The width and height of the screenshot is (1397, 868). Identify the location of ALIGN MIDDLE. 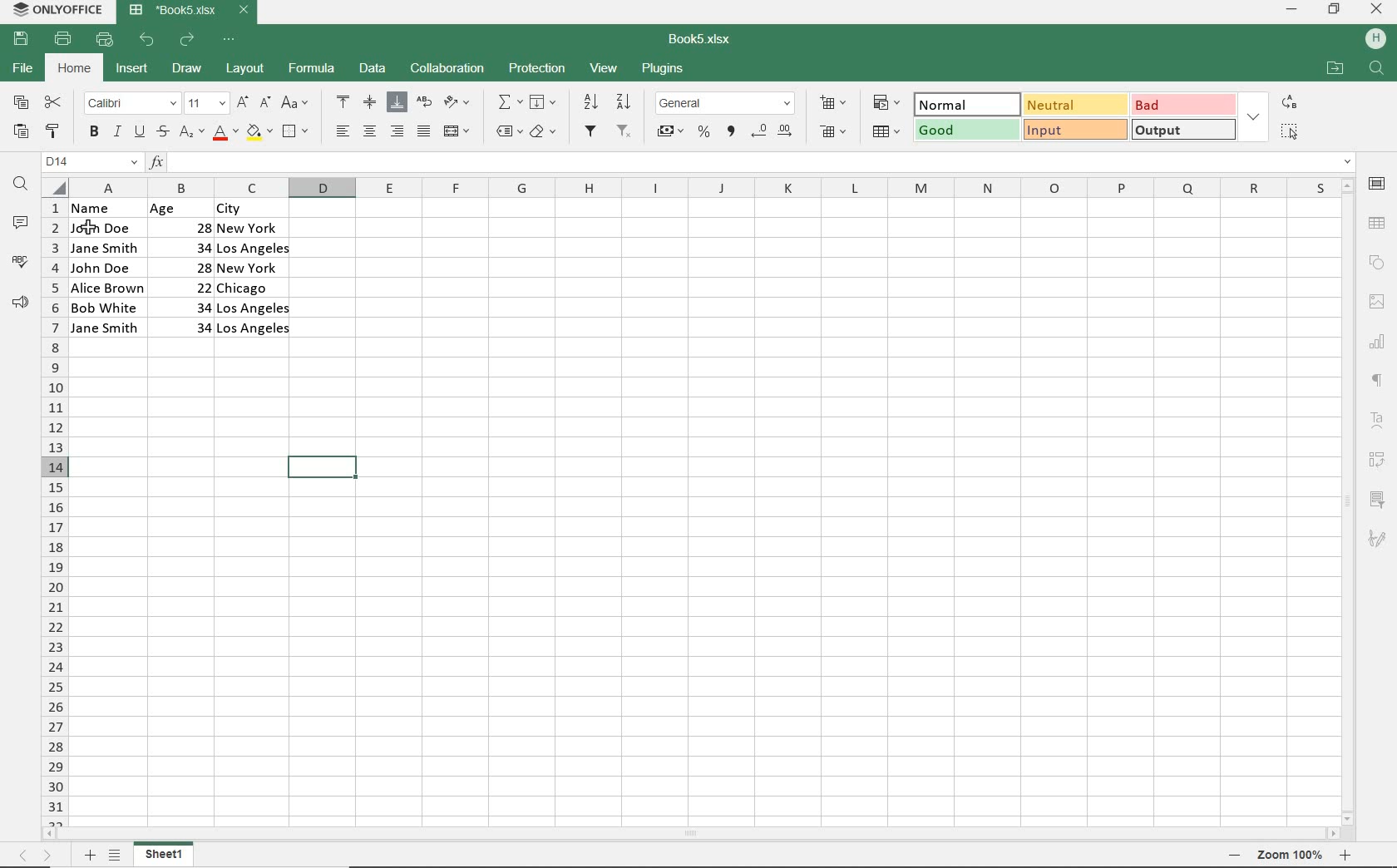
(369, 101).